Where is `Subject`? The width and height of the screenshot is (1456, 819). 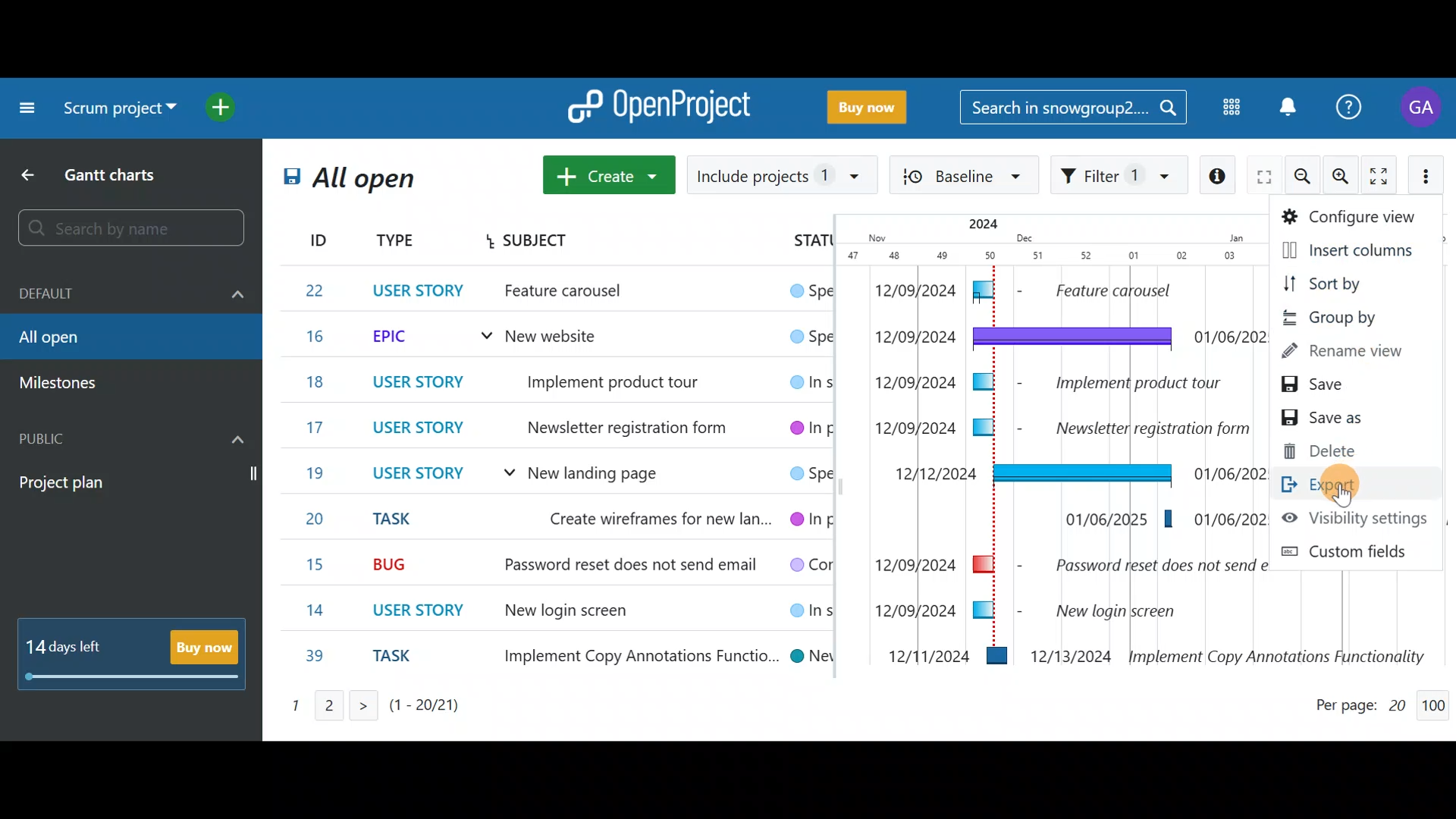 Subject is located at coordinates (529, 242).